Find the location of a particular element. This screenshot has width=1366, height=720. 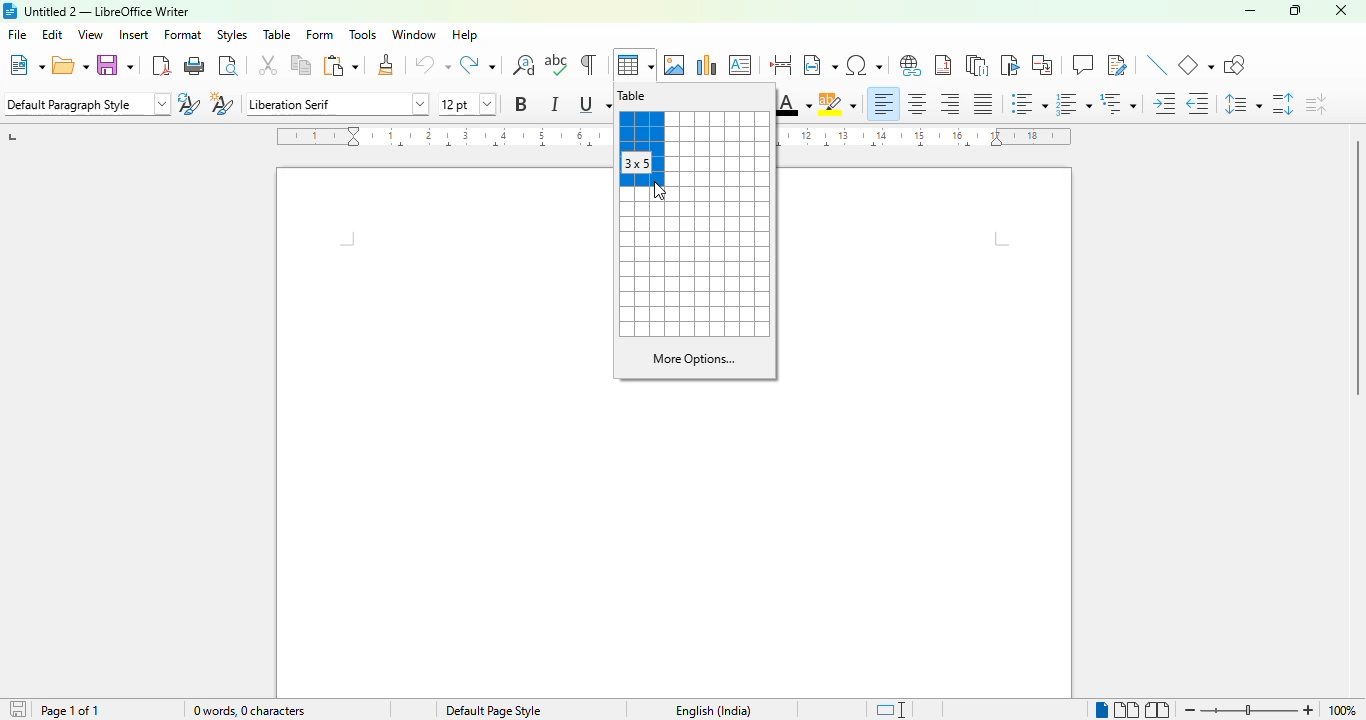

decrease indent is located at coordinates (1199, 103).